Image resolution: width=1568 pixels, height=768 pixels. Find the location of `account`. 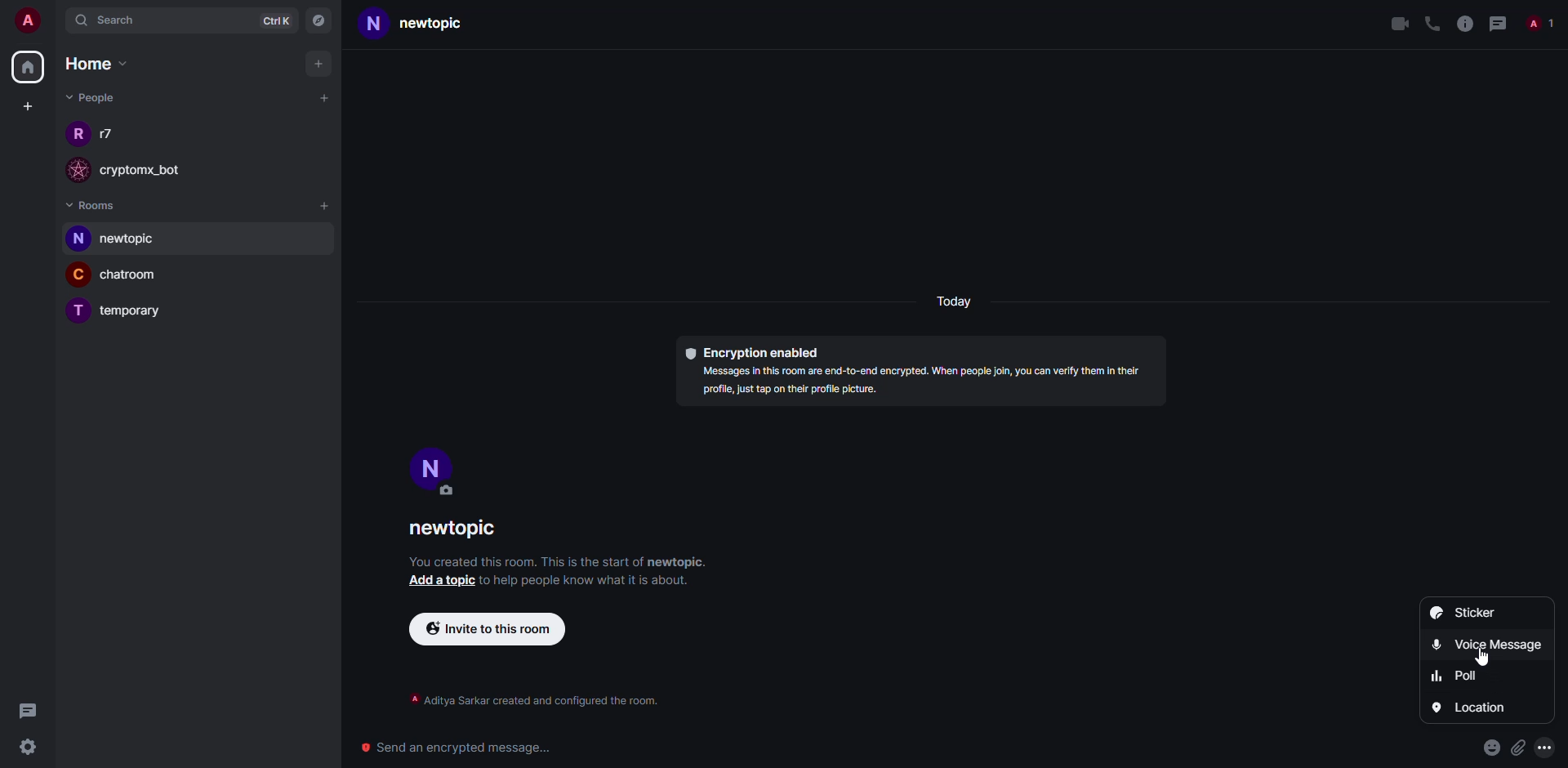

account is located at coordinates (33, 23).